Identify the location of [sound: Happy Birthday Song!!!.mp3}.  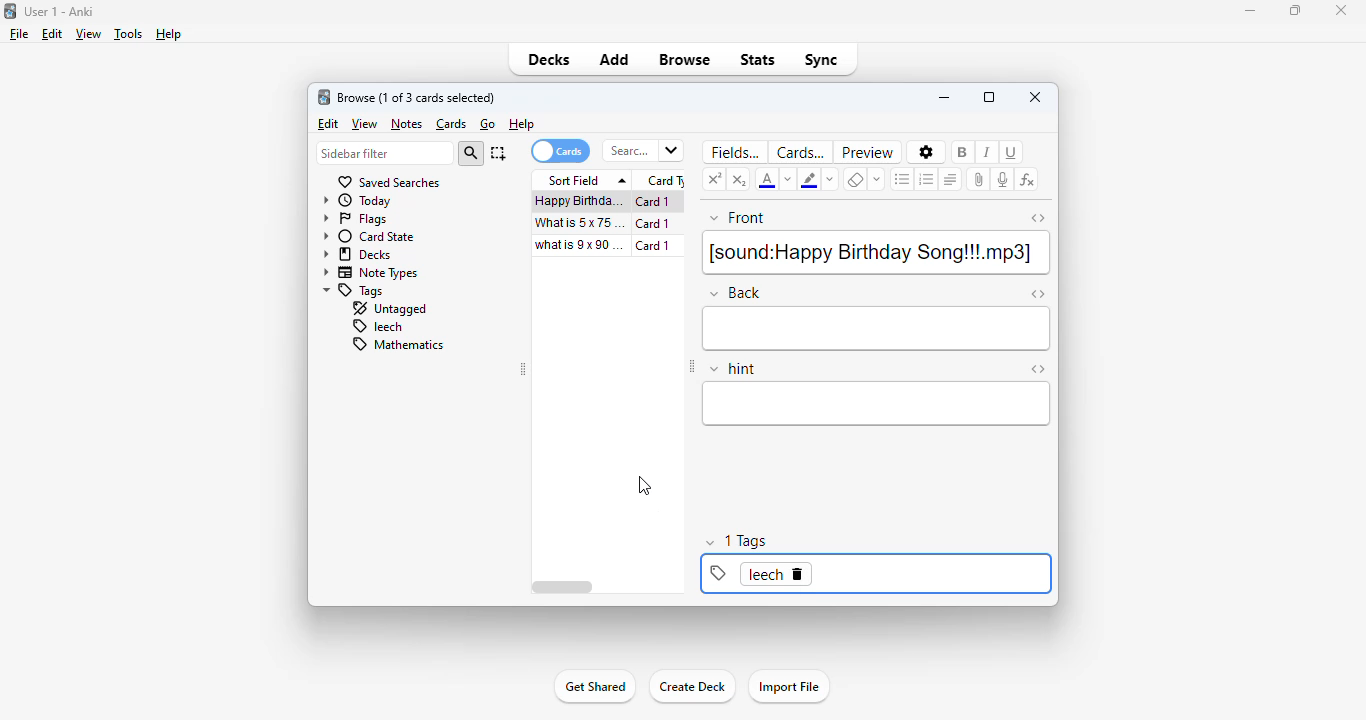
(875, 253).